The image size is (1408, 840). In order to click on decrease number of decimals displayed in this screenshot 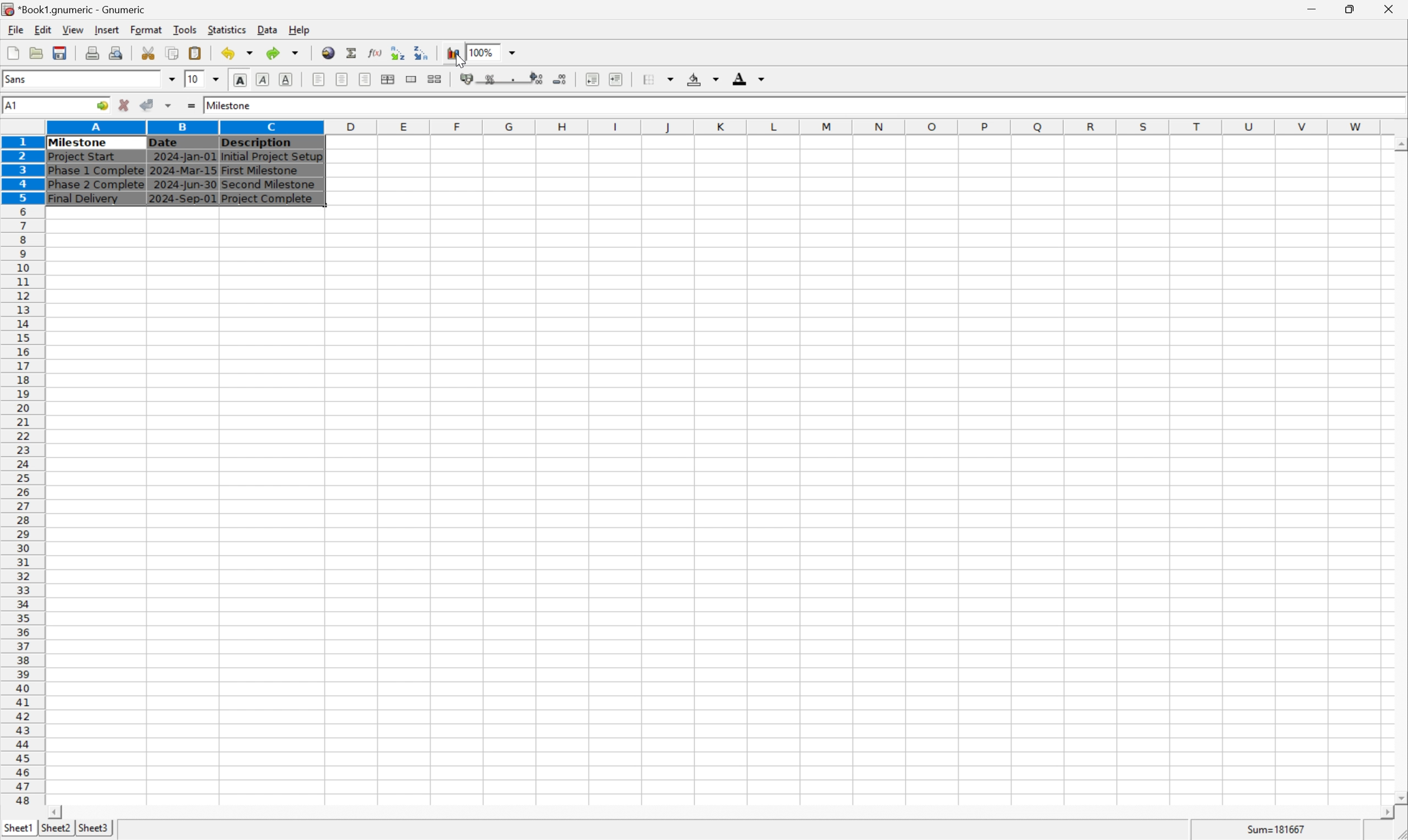, I will do `click(562, 80)`.